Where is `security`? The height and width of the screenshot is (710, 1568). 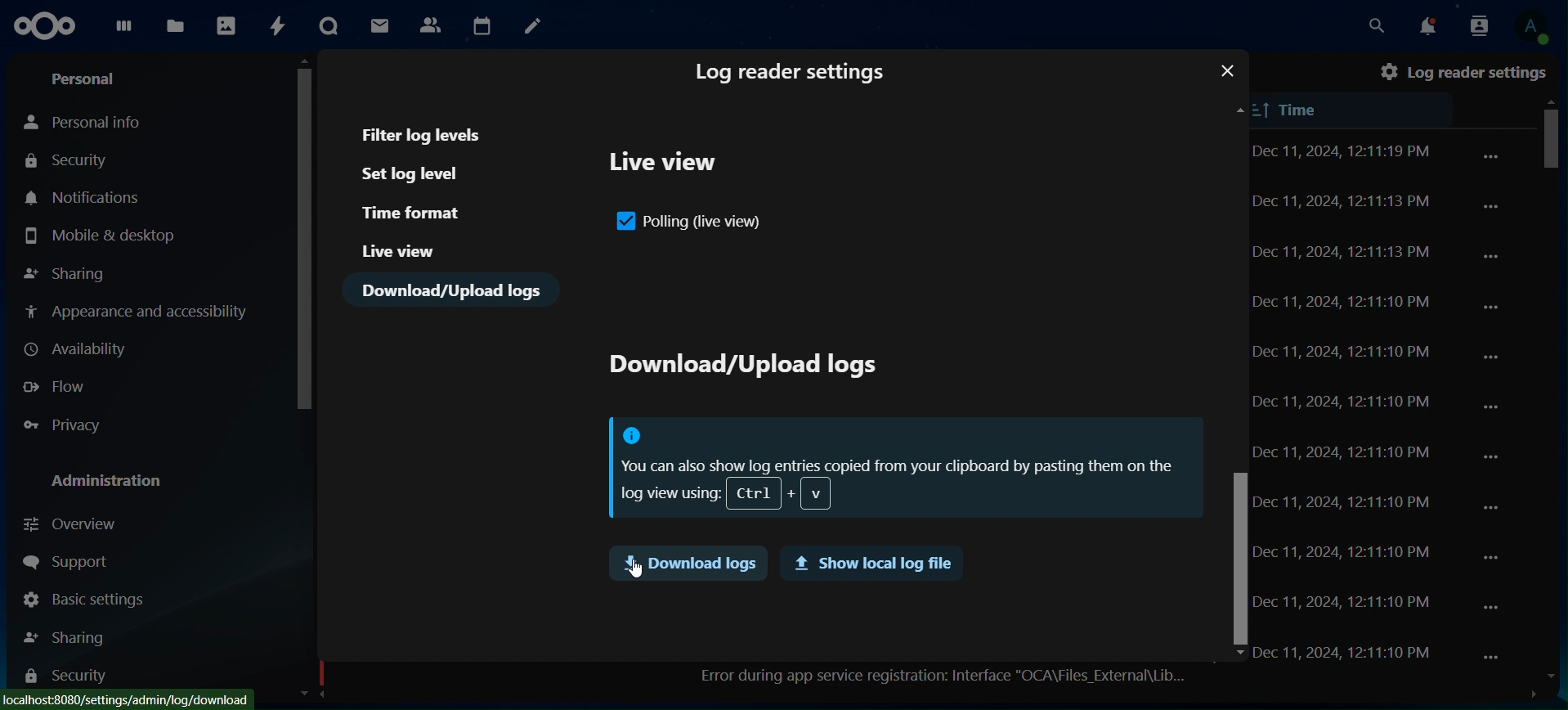 security is located at coordinates (70, 160).